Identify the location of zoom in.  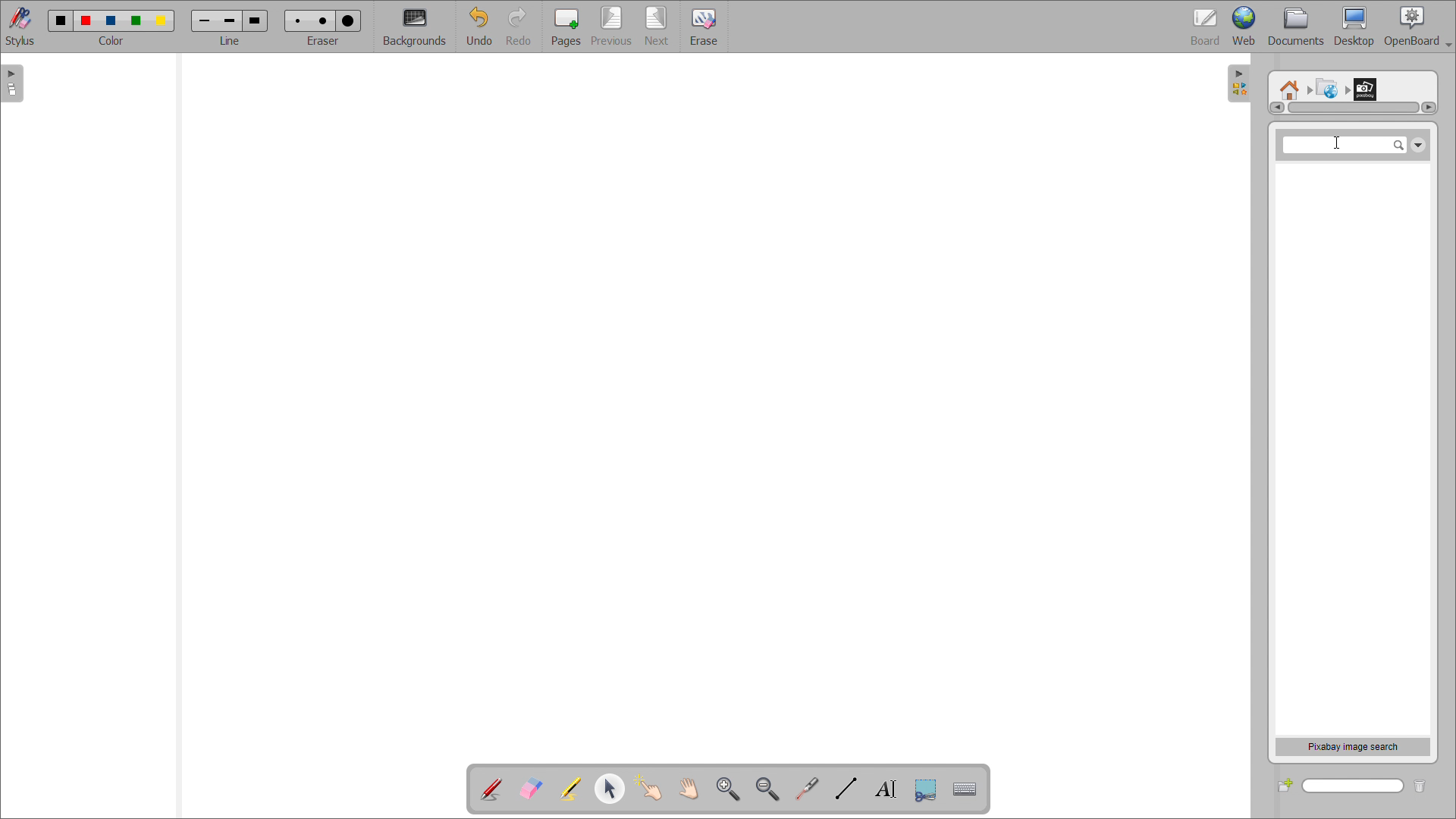
(728, 788).